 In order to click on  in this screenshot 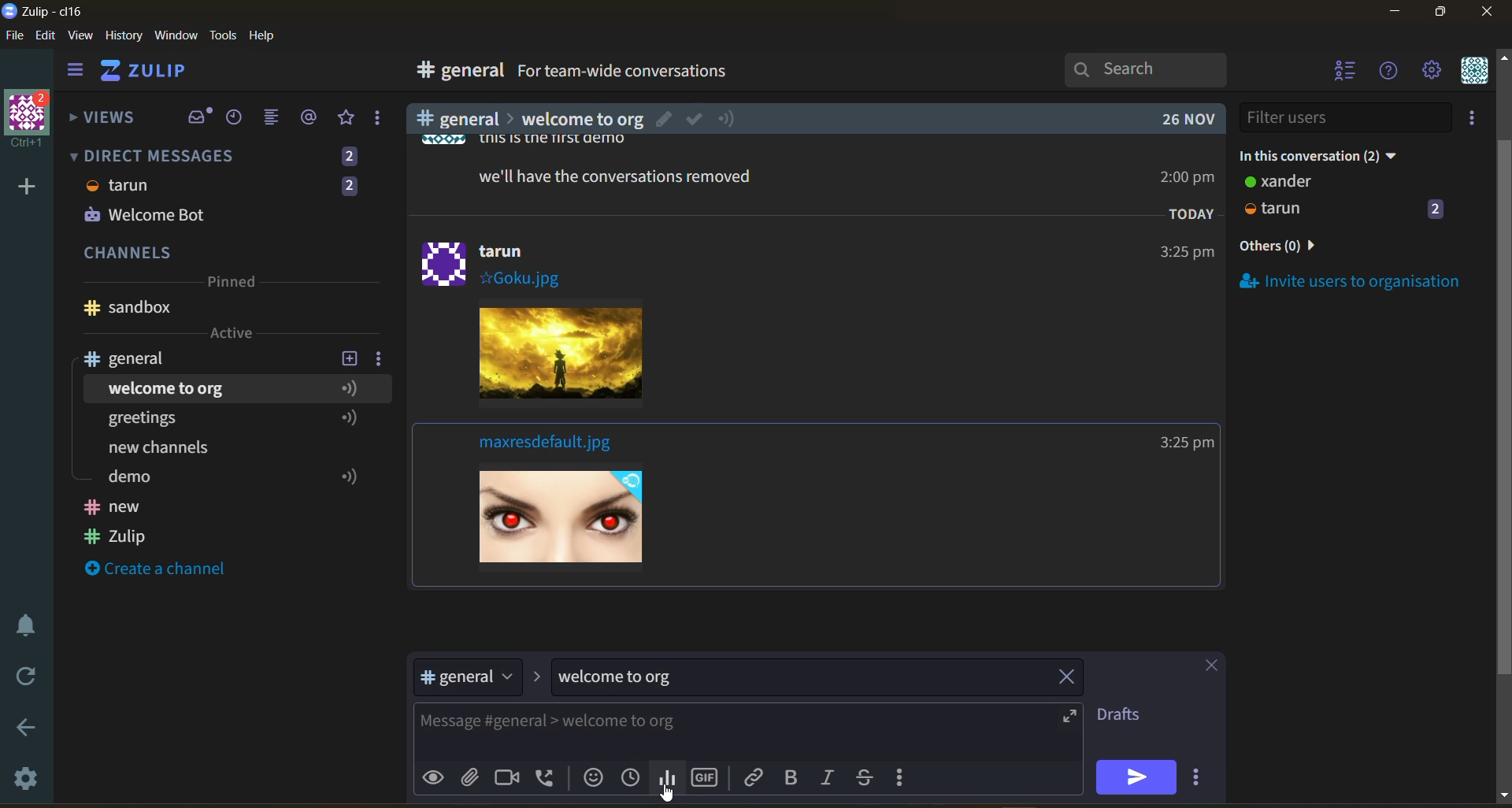, I will do `click(549, 445)`.